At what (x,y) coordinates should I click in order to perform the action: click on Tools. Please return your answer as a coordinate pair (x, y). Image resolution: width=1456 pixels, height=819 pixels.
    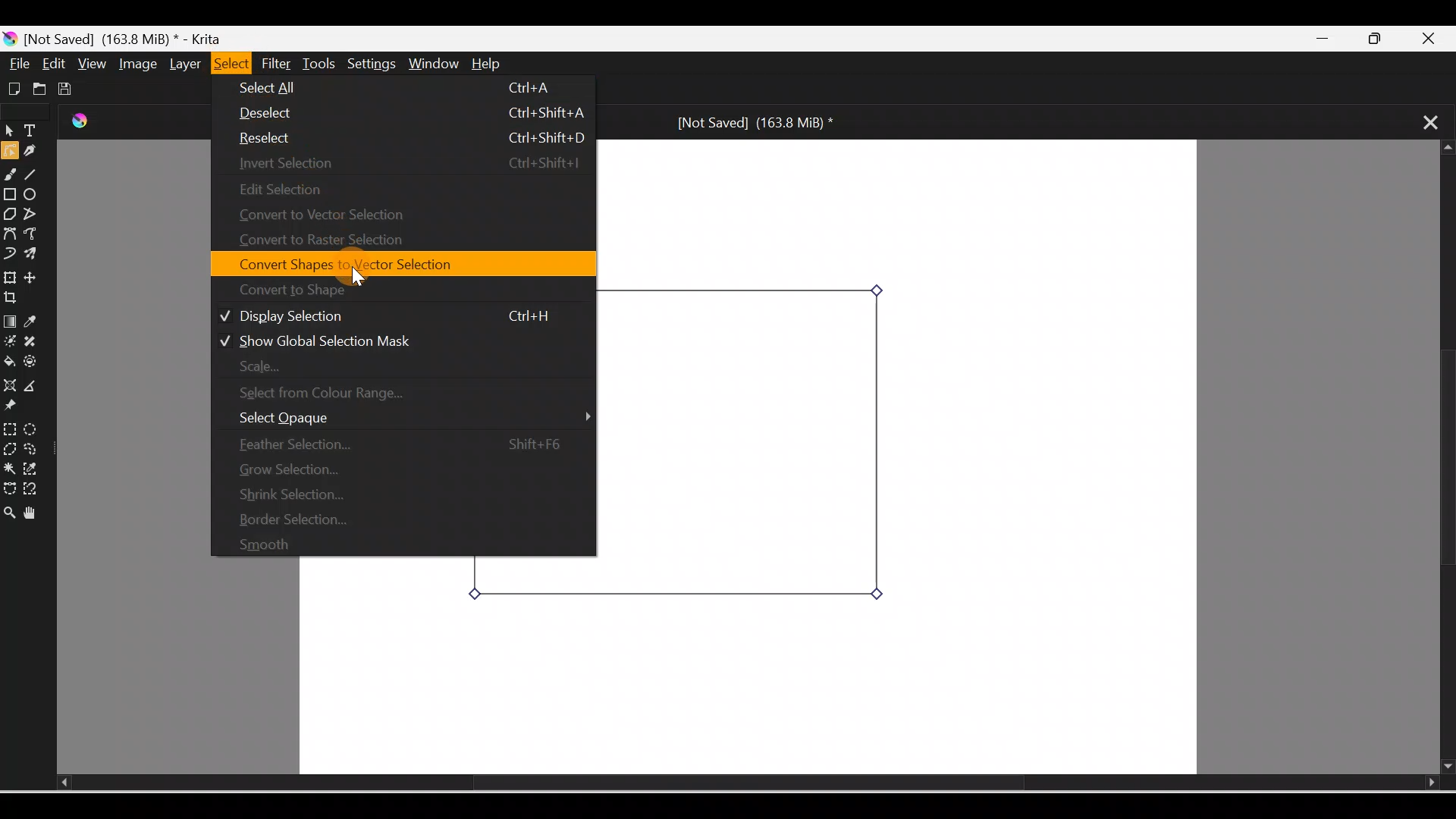
    Looking at the image, I should click on (322, 64).